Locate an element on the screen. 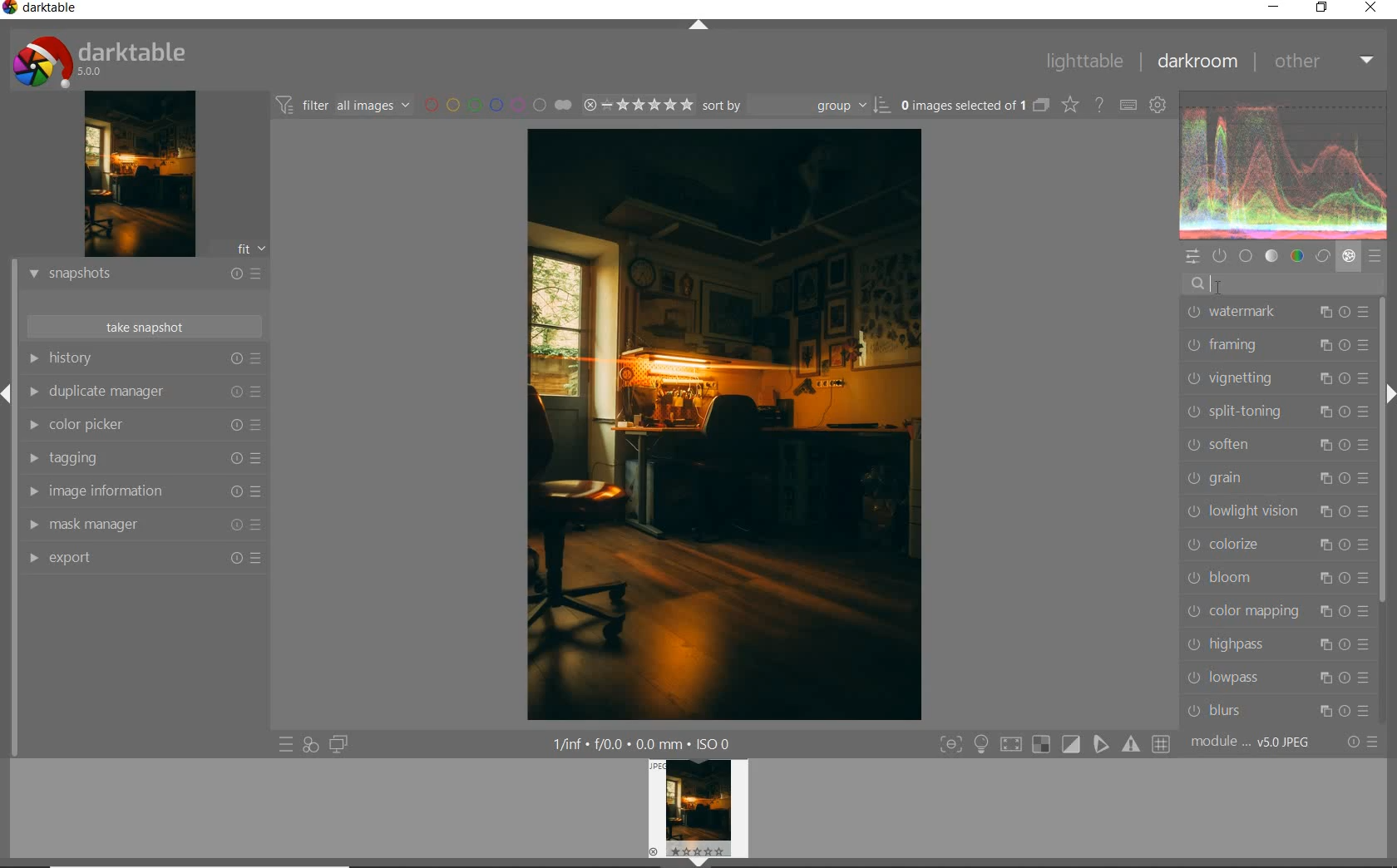  mask manager is located at coordinates (143, 525).